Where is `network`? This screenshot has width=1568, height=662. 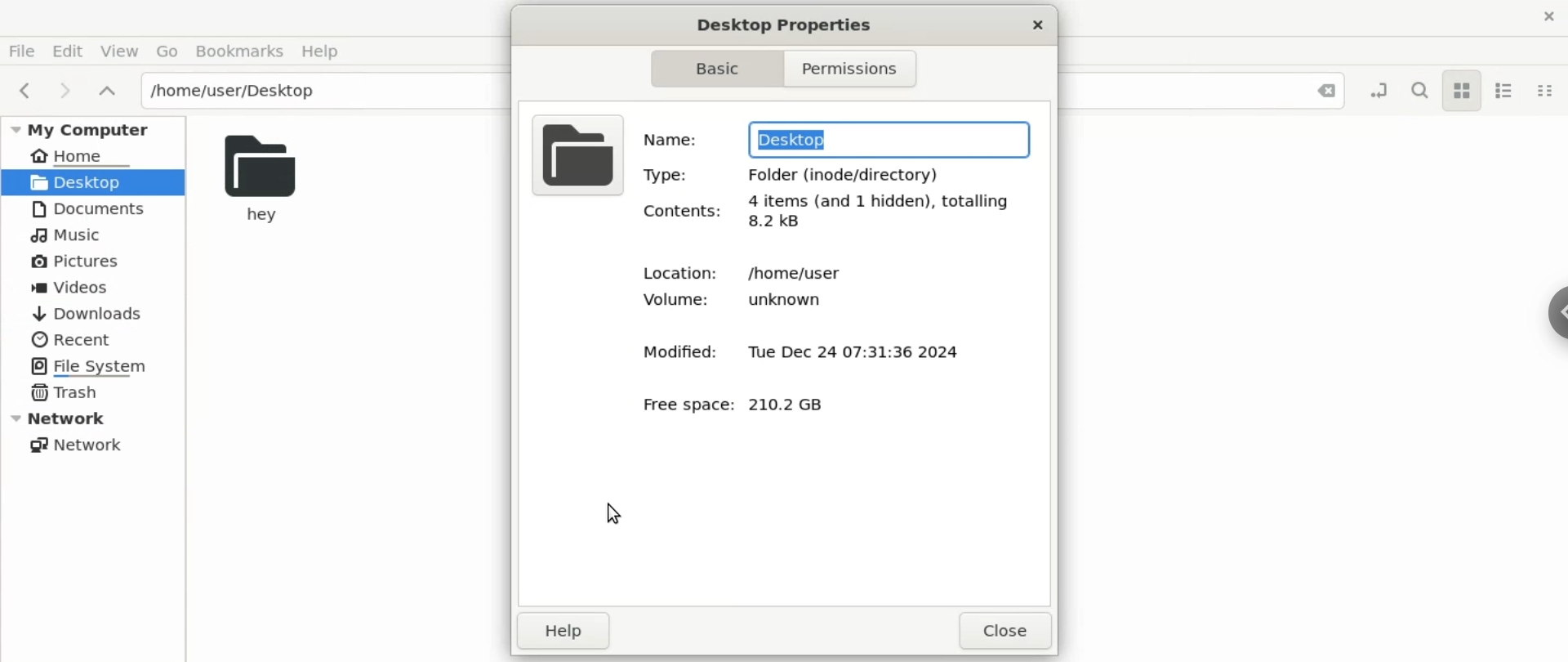
network is located at coordinates (96, 418).